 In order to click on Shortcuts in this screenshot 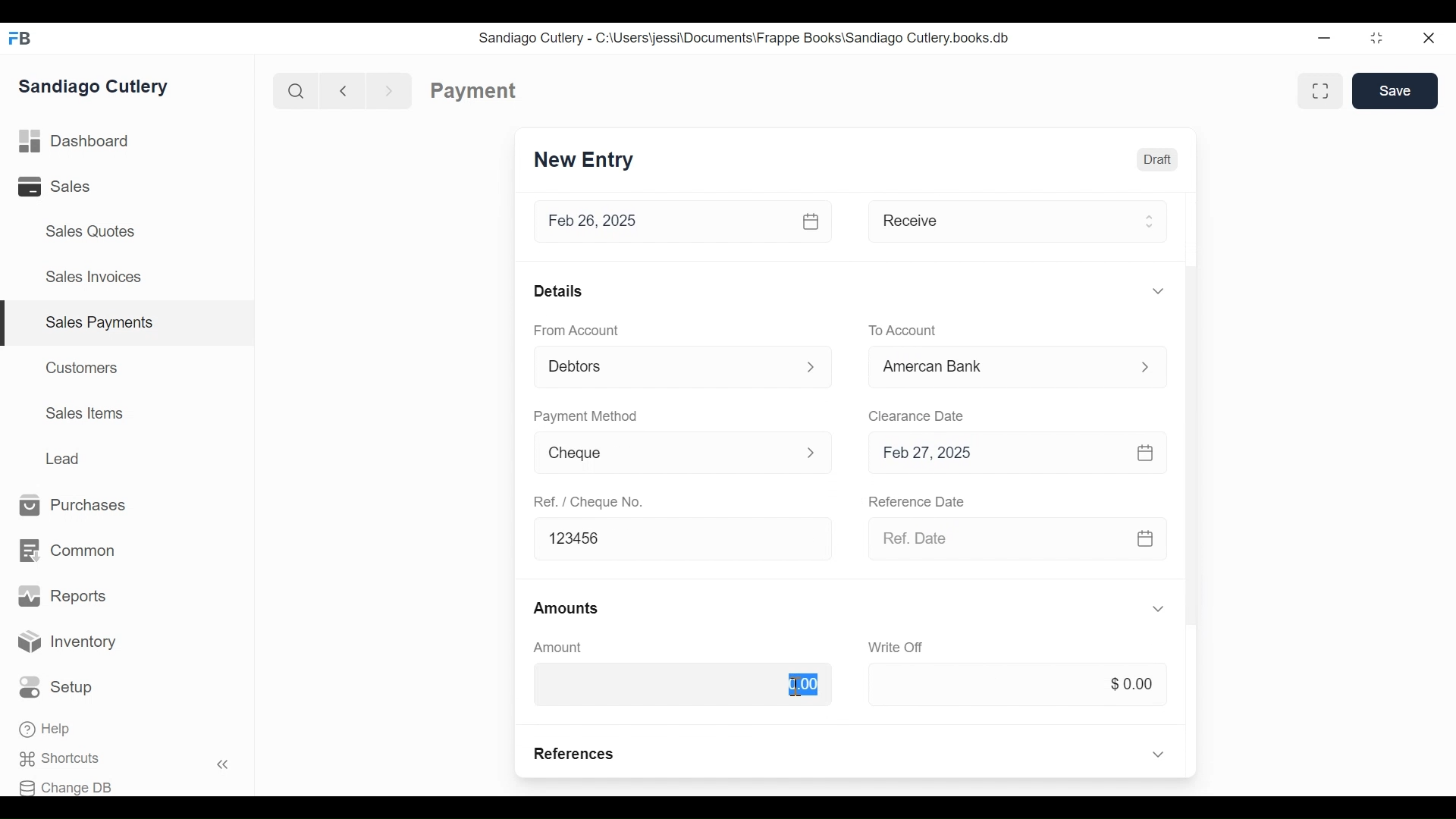, I will do `click(69, 759)`.